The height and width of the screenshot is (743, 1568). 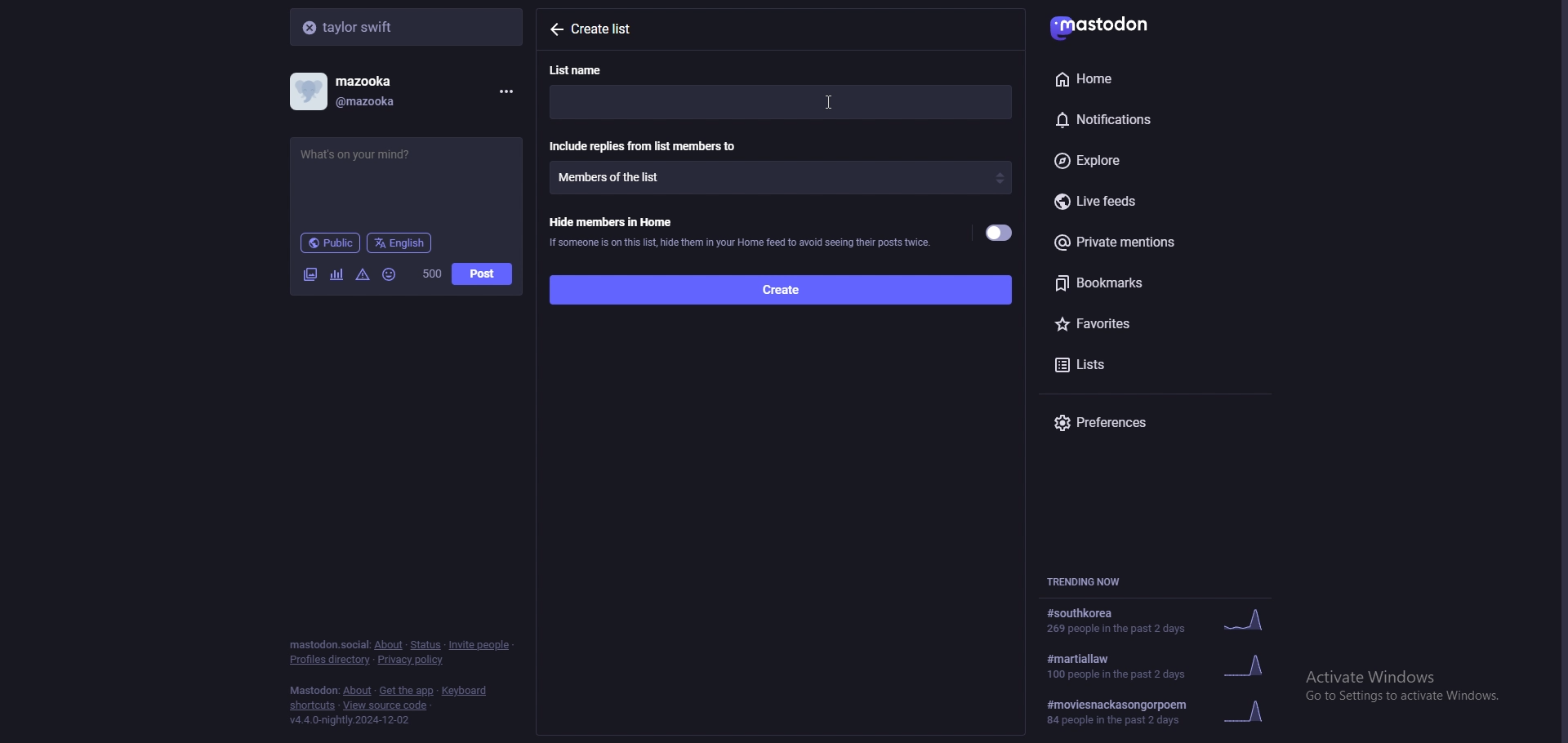 What do you see at coordinates (349, 720) in the screenshot?
I see `version` at bounding box center [349, 720].